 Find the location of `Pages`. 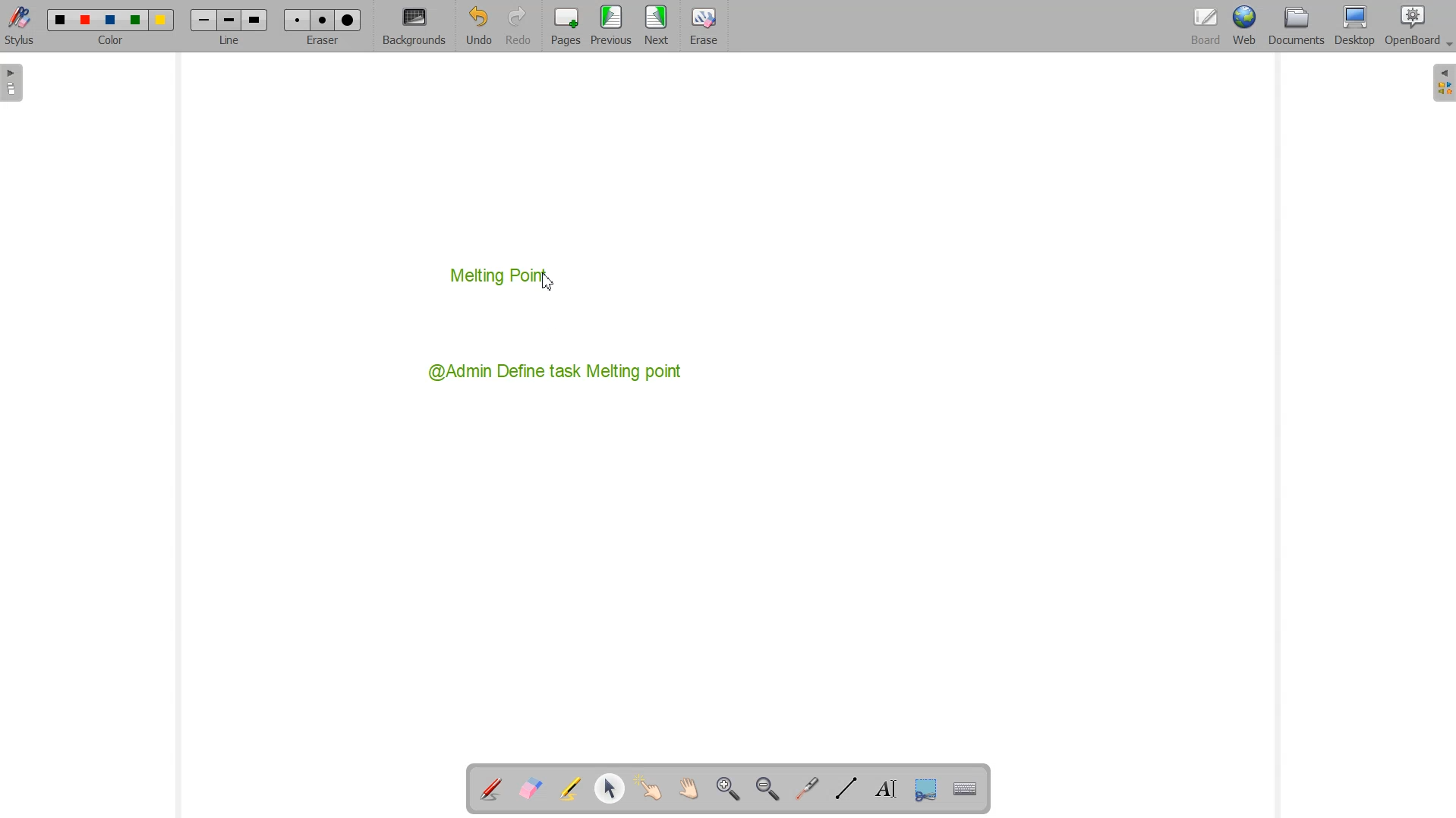

Pages is located at coordinates (563, 27).